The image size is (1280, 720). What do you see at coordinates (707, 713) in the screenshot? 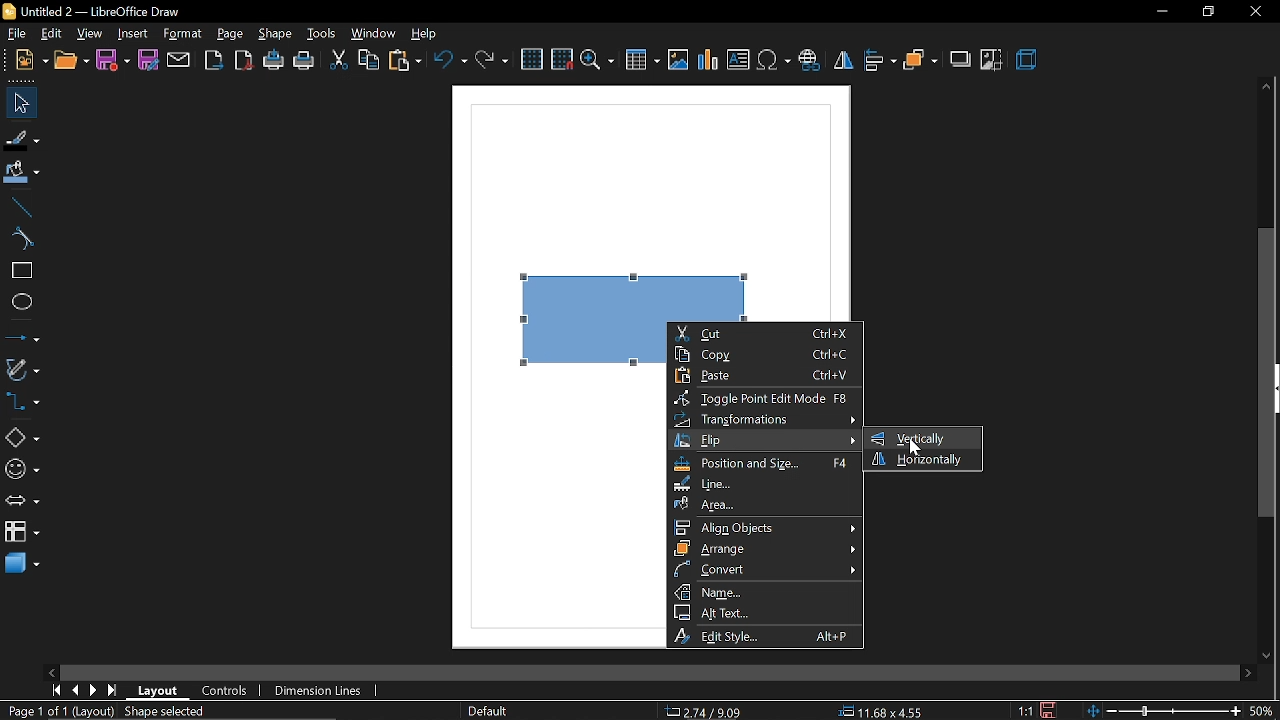
I see `2.79/9.09` at bounding box center [707, 713].